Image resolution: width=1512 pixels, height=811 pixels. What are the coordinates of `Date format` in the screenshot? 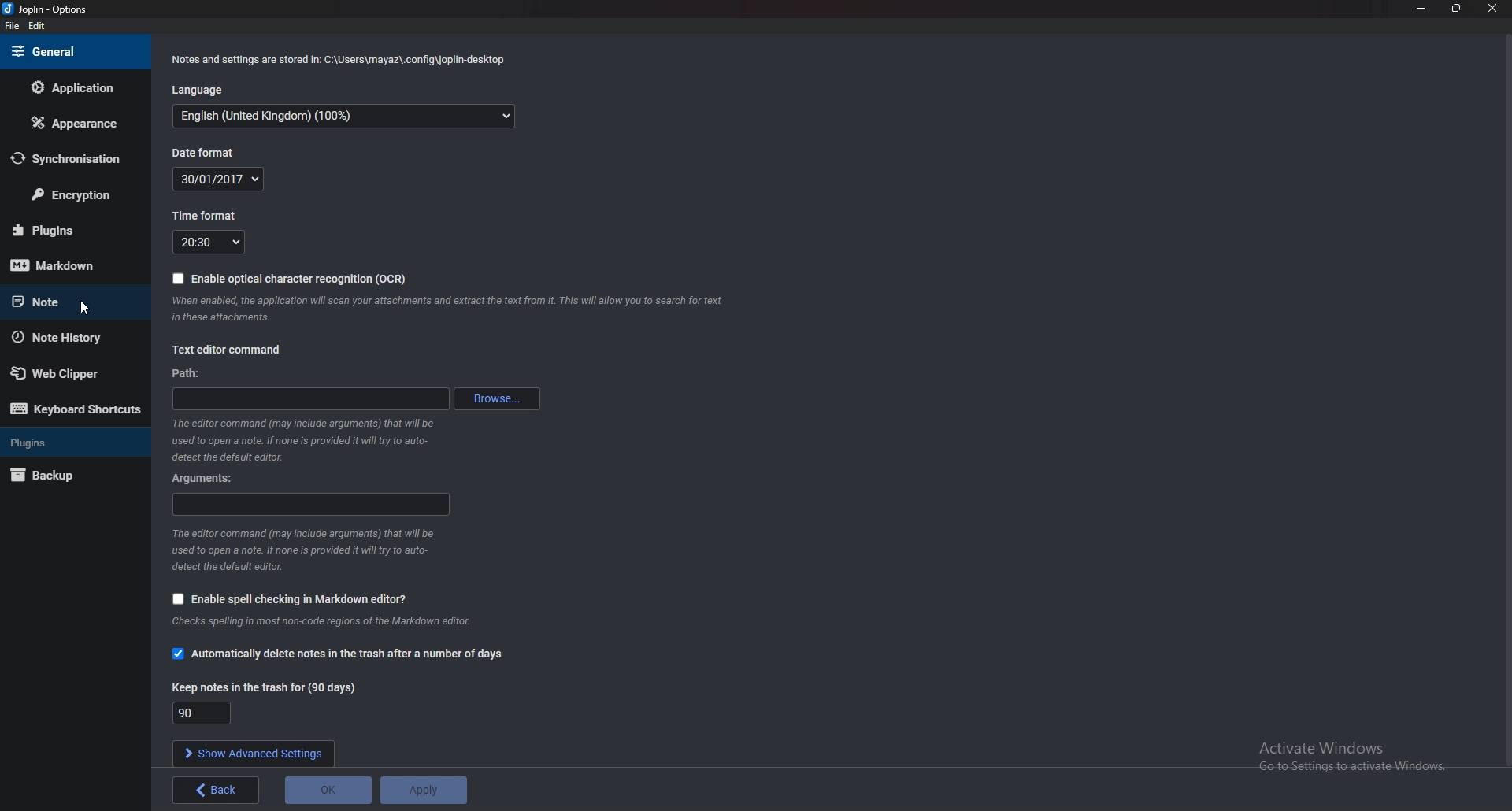 It's located at (206, 151).